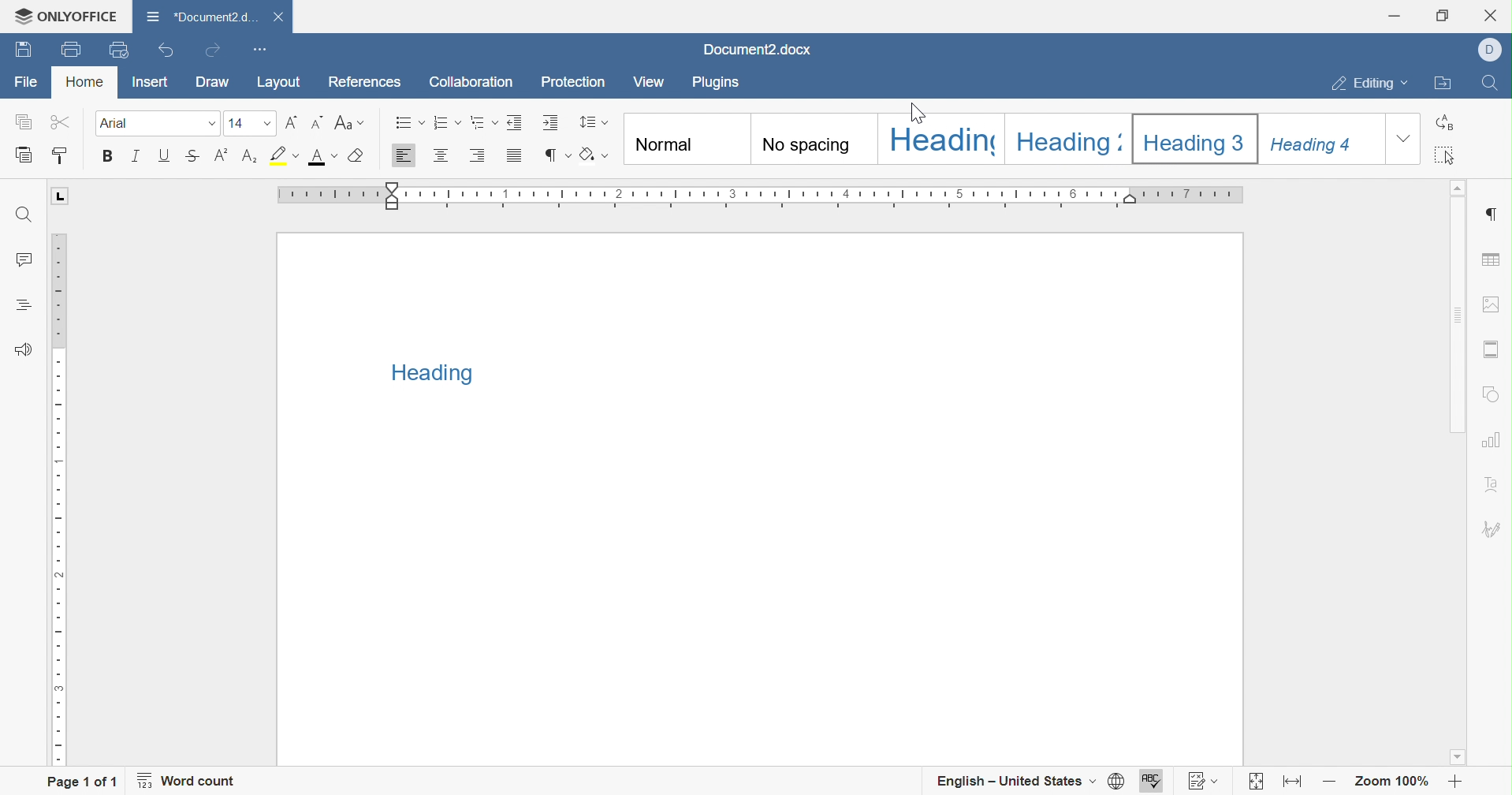 The image size is (1512, 795). Describe the element at coordinates (164, 157) in the screenshot. I see `Underline` at that location.